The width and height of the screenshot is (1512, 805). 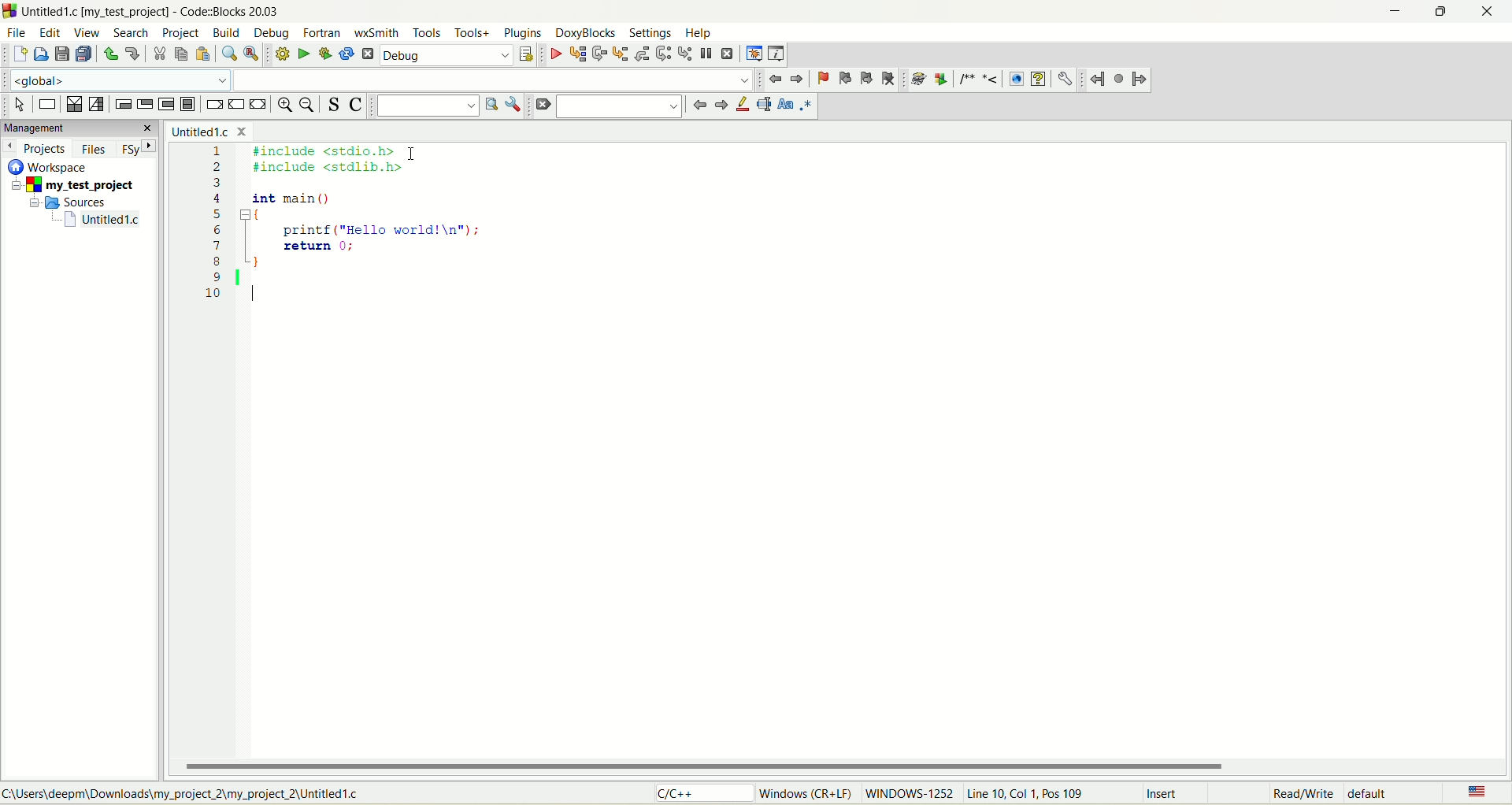 I want to click on options window, so click(x=513, y=104).